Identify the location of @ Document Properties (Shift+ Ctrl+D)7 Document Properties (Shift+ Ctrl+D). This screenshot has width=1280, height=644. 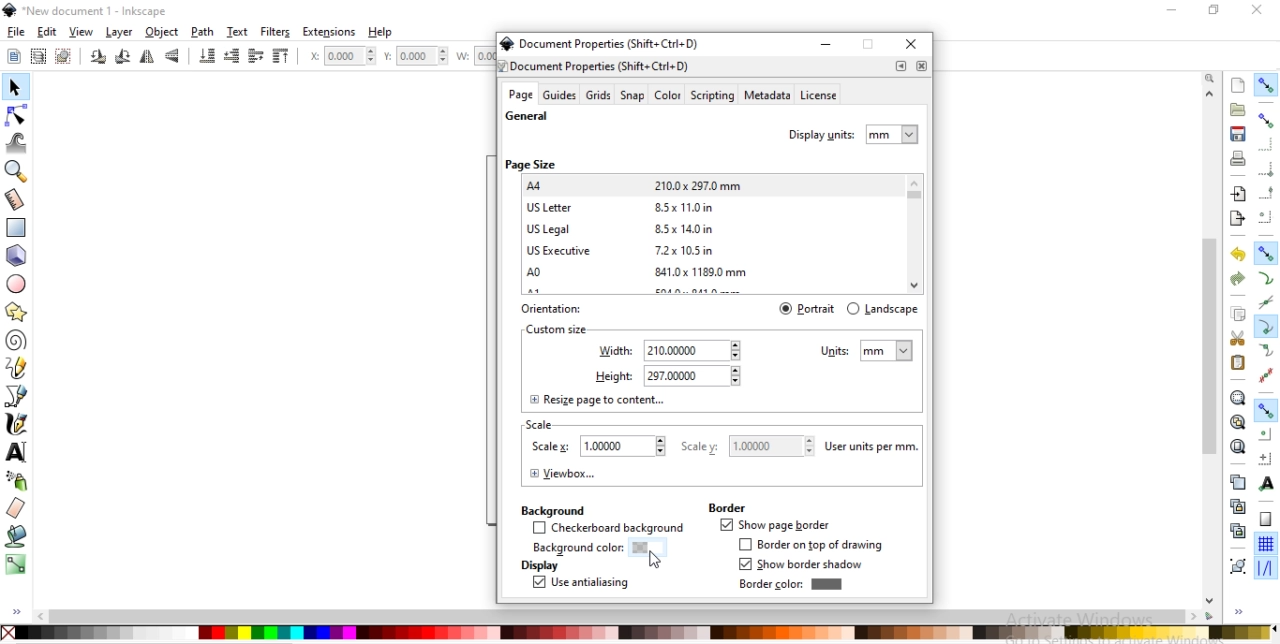
(606, 54).